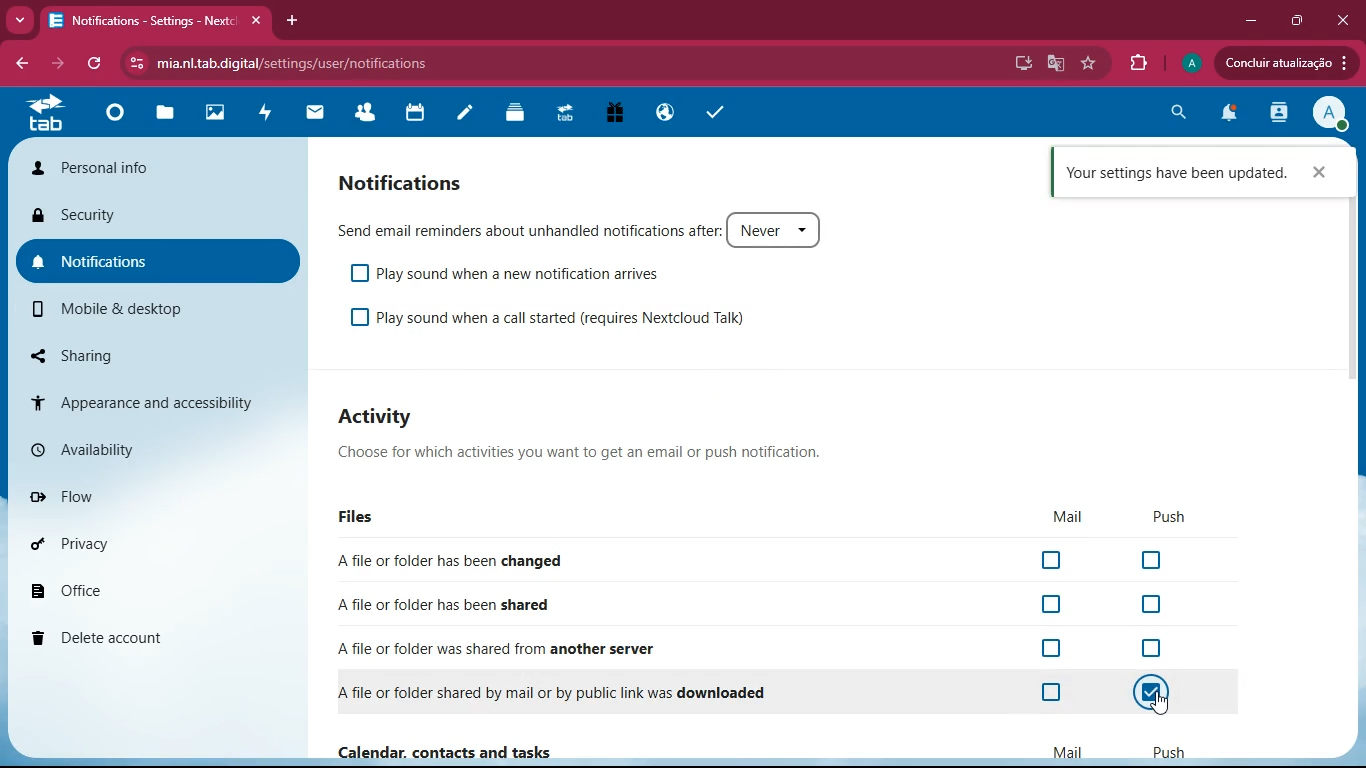 The height and width of the screenshot is (768, 1366). I want to click on mobile & desktop, so click(124, 307).